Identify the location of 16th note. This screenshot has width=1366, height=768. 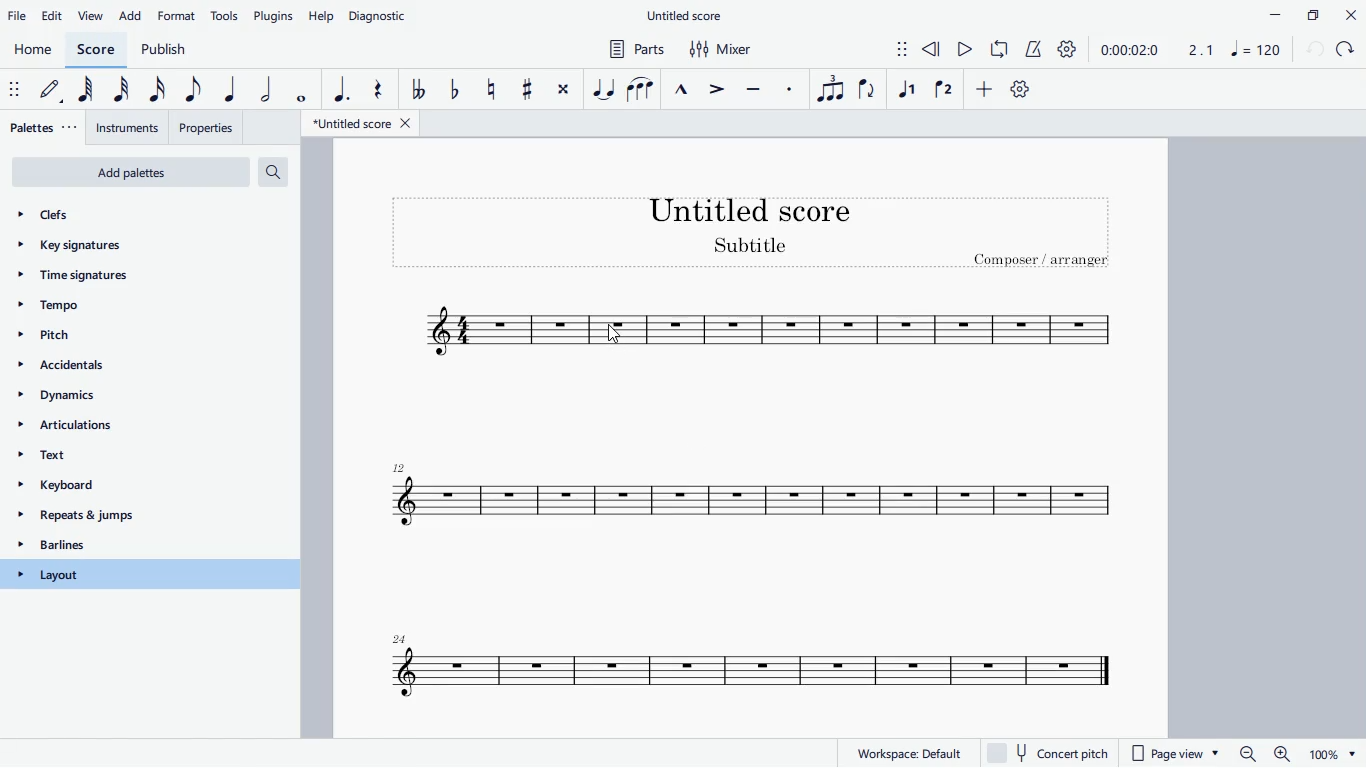
(158, 90).